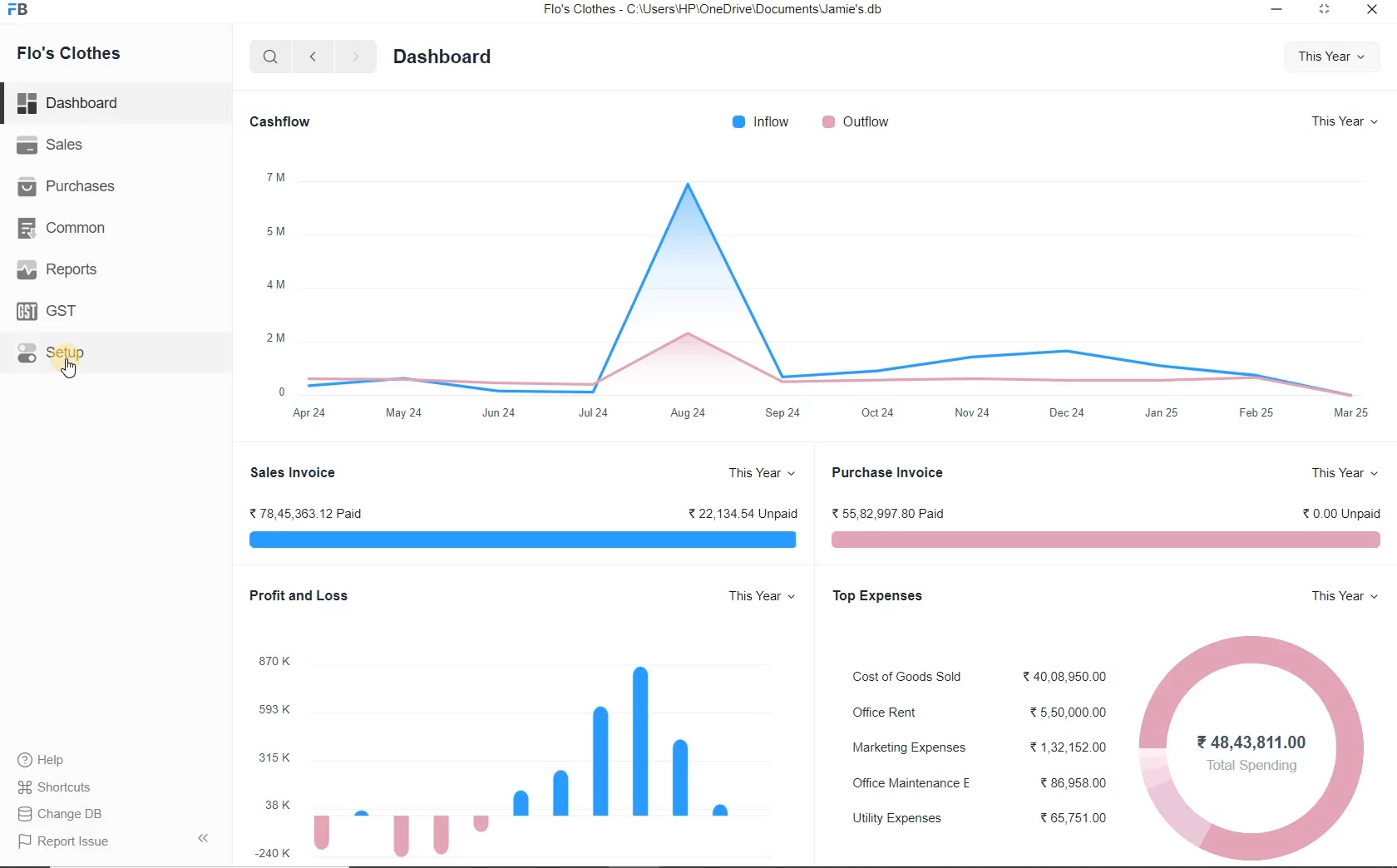  Describe the element at coordinates (66, 53) in the screenshot. I see `Flo's Clothes` at that location.